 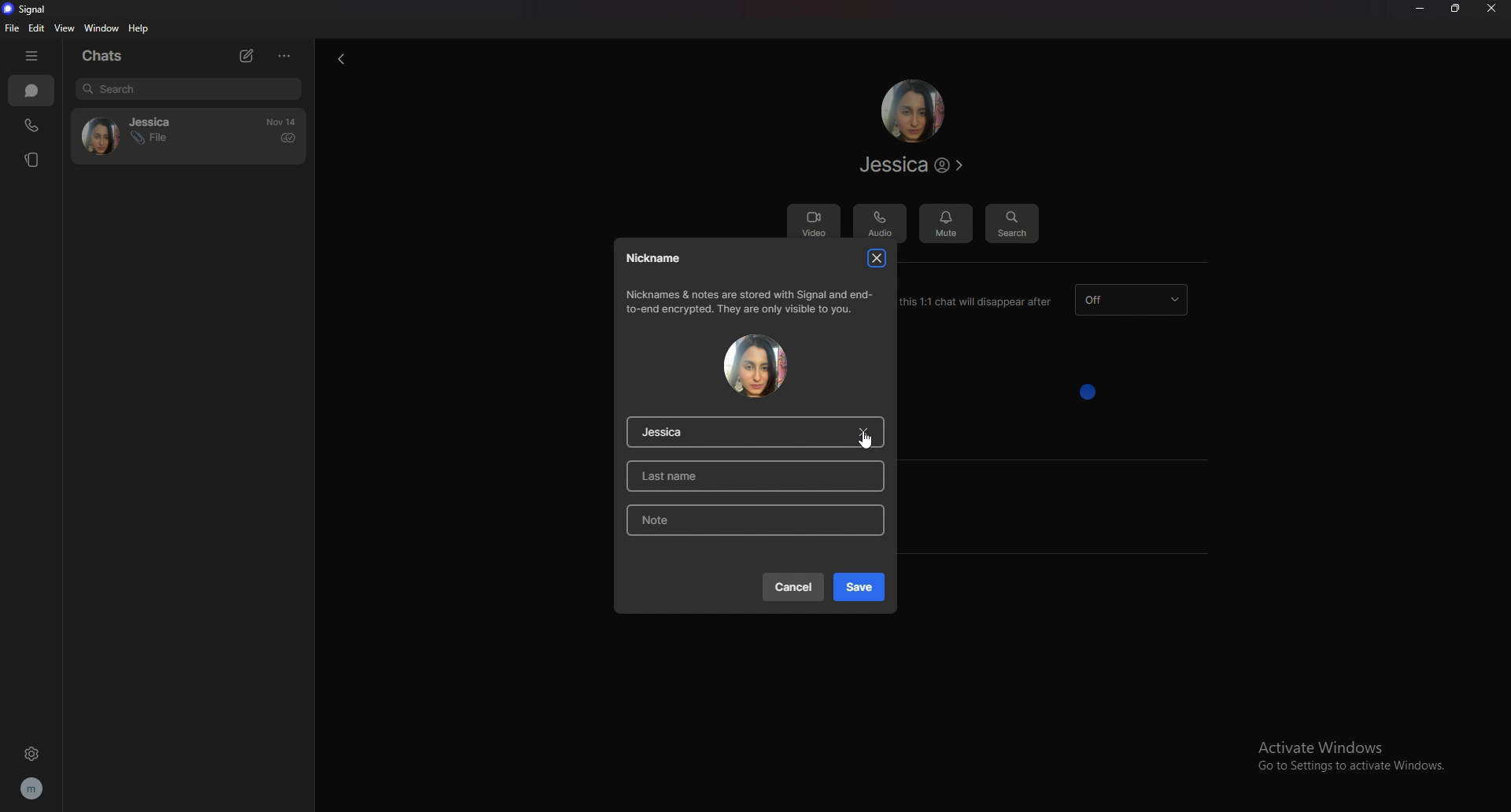 What do you see at coordinates (281, 122) in the screenshot?
I see `time` at bounding box center [281, 122].